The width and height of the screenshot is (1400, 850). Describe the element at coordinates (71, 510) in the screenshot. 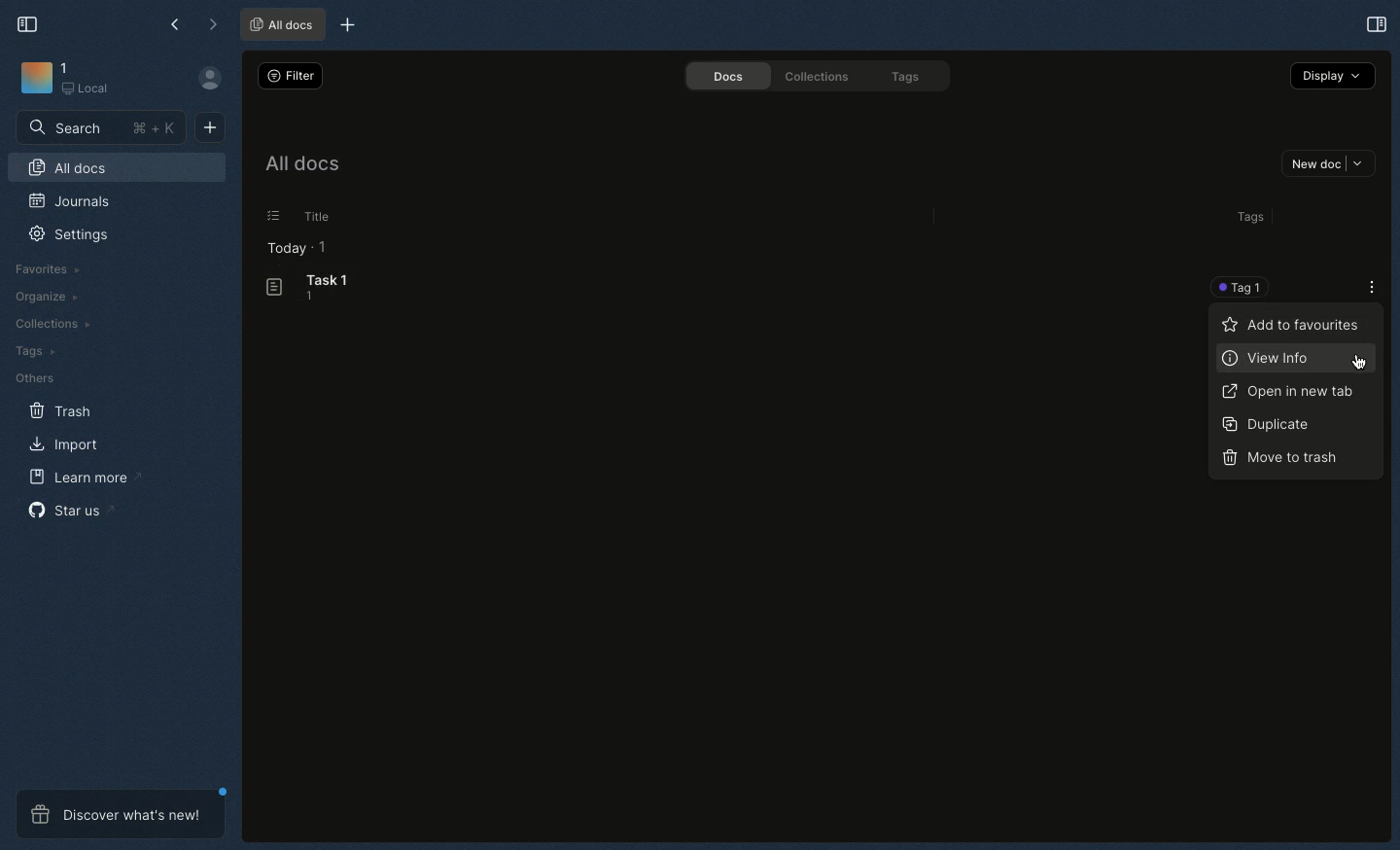

I see `Star us` at that location.